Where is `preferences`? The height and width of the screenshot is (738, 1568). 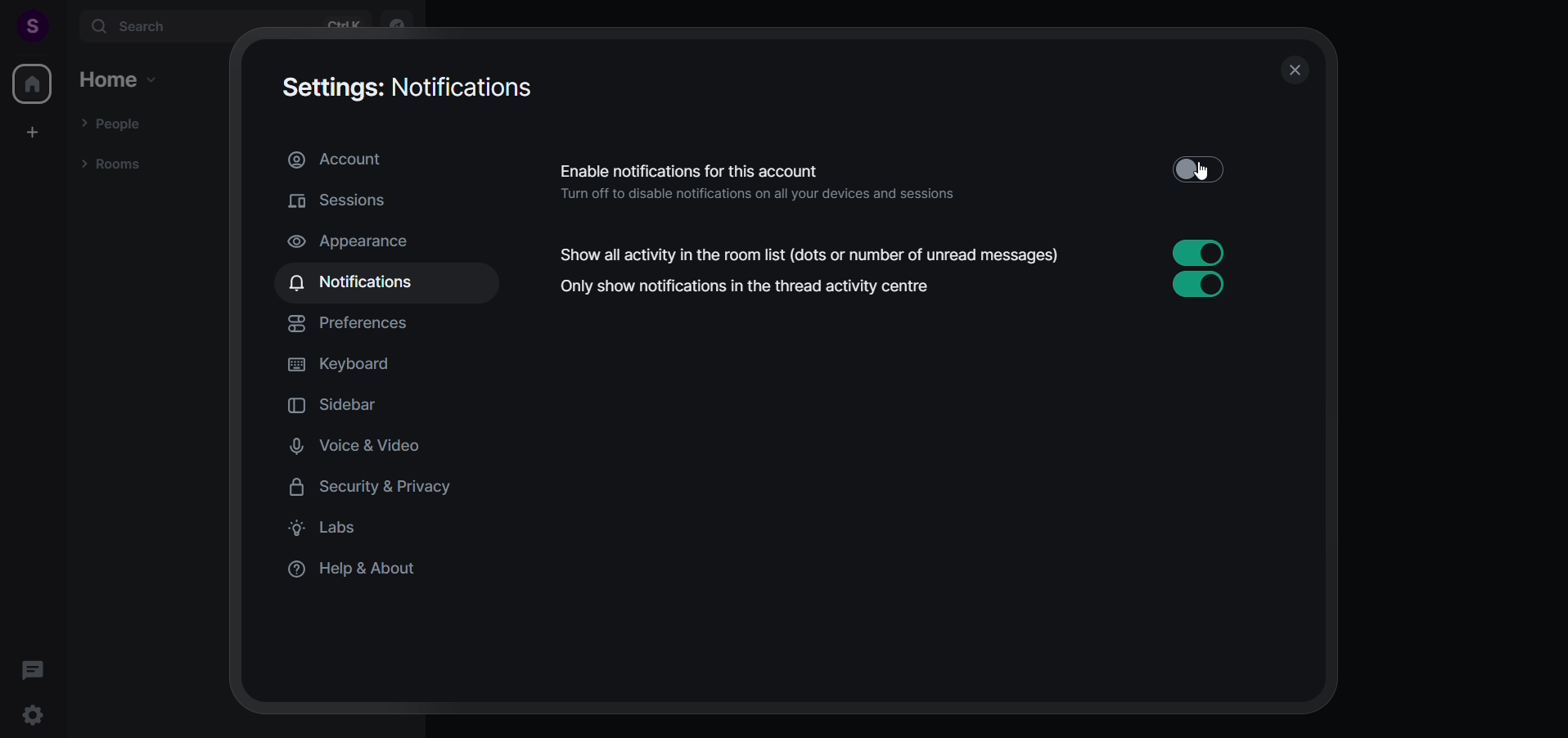 preferences is located at coordinates (358, 325).